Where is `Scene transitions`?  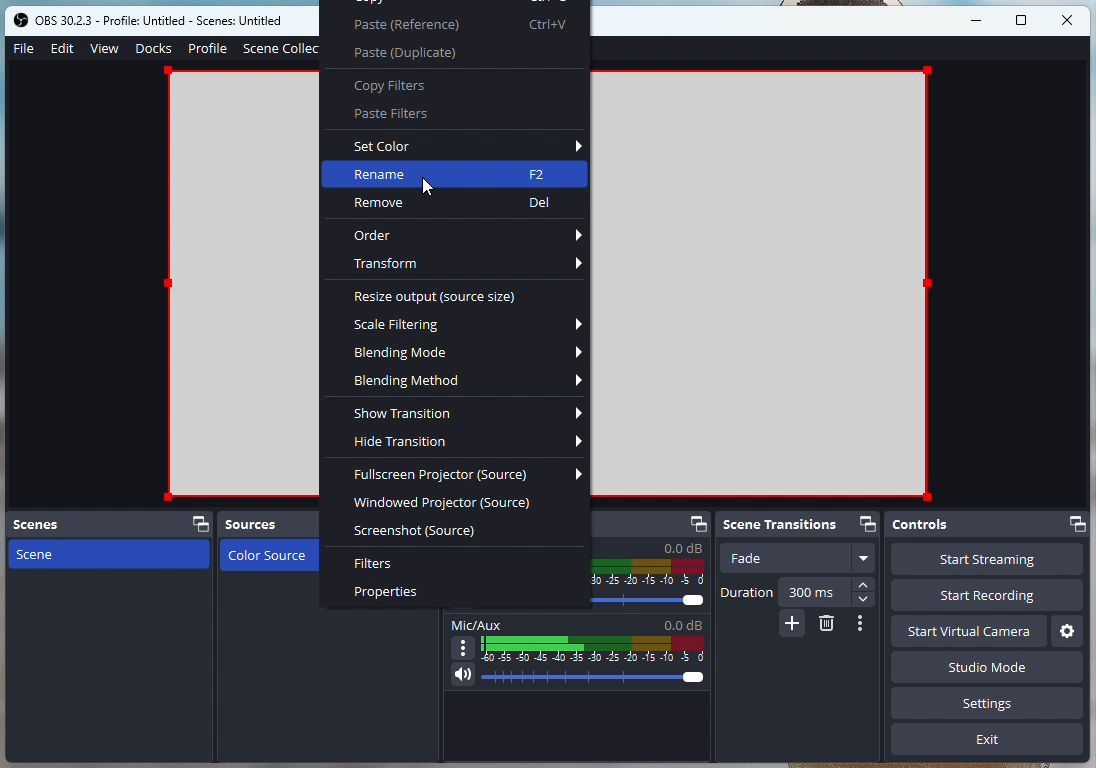 Scene transitions is located at coordinates (802, 524).